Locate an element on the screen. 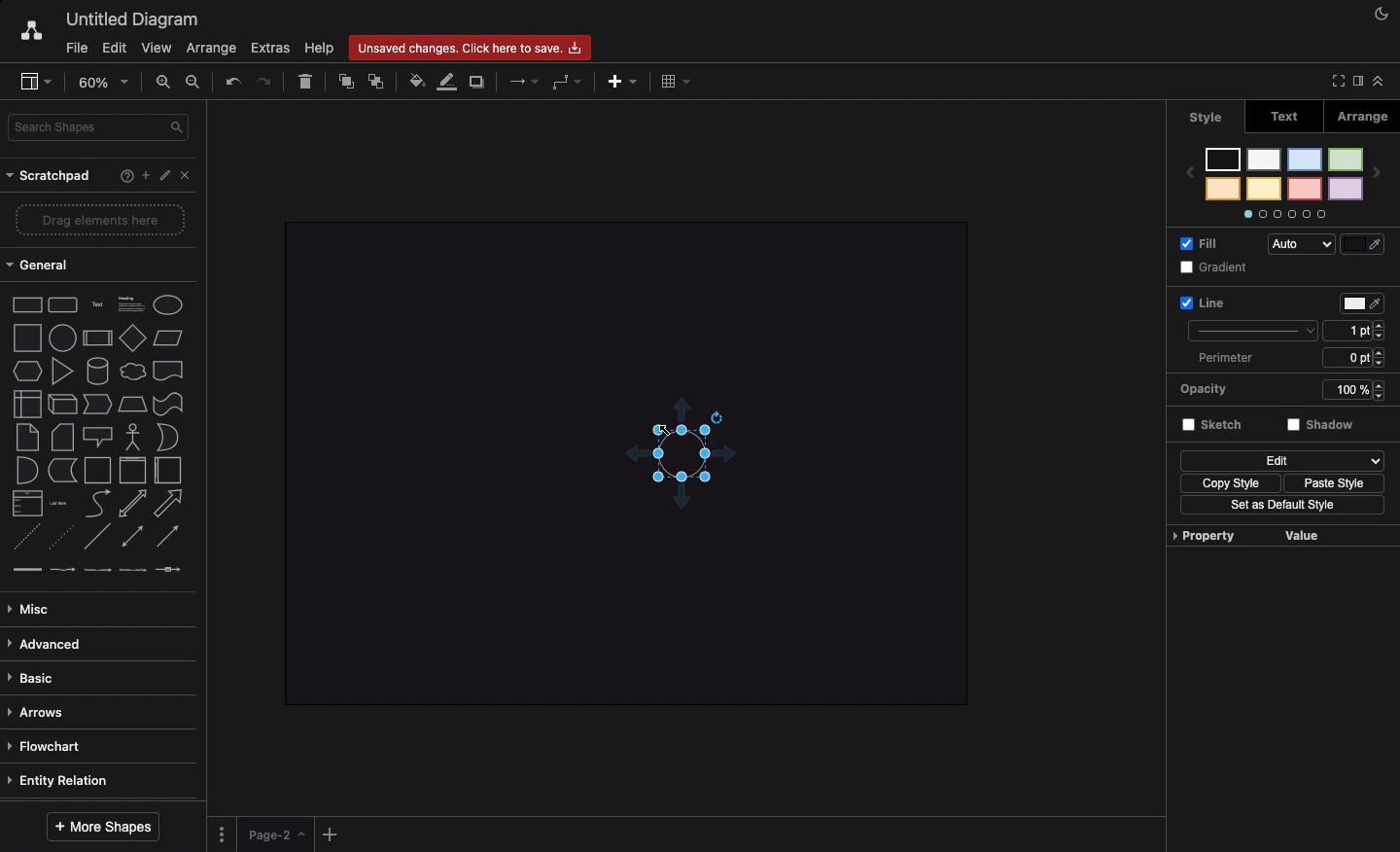  Styles is located at coordinates (1283, 182).